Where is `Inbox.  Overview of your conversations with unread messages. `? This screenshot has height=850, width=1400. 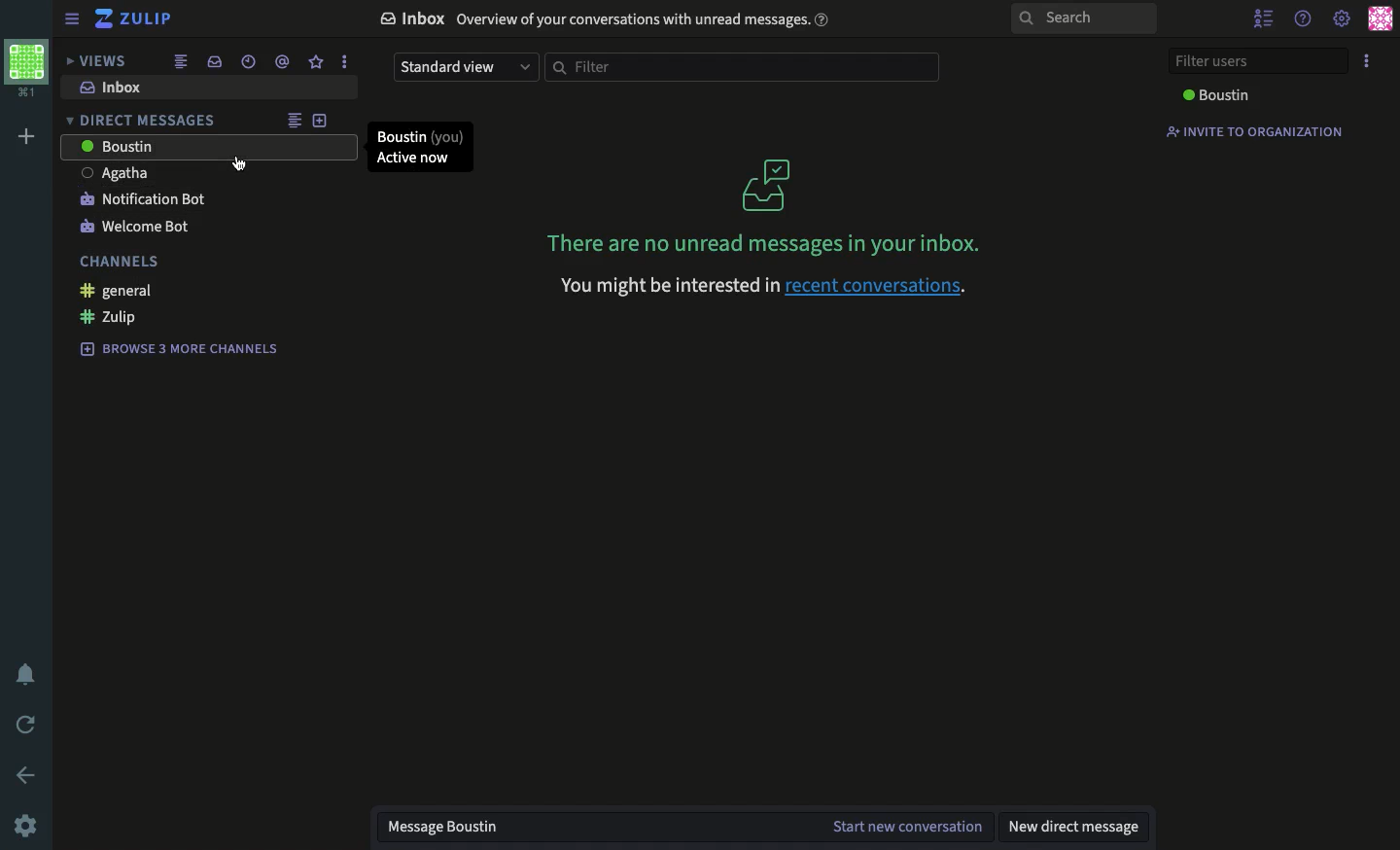
Inbox.  Overview of your conversations with unread messages.  is located at coordinates (602, 21).